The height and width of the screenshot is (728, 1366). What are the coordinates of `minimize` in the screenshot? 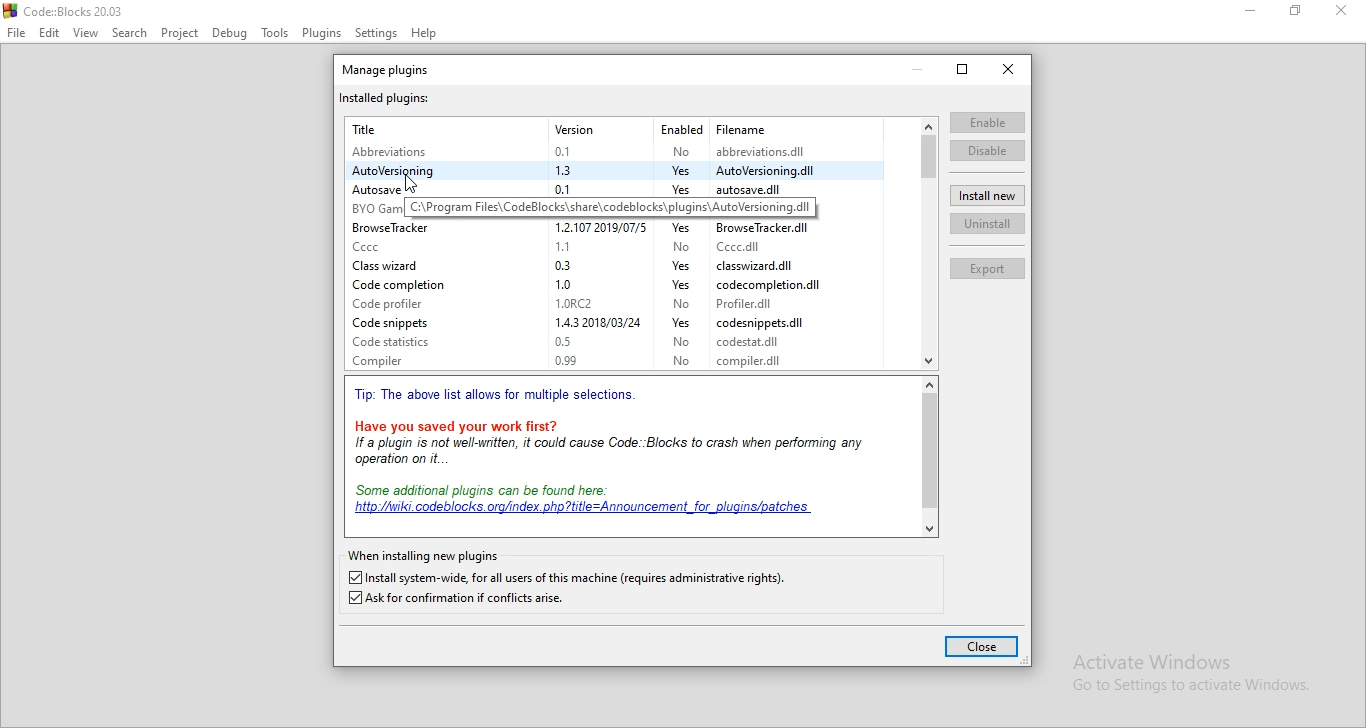 It's located at (918, 69).